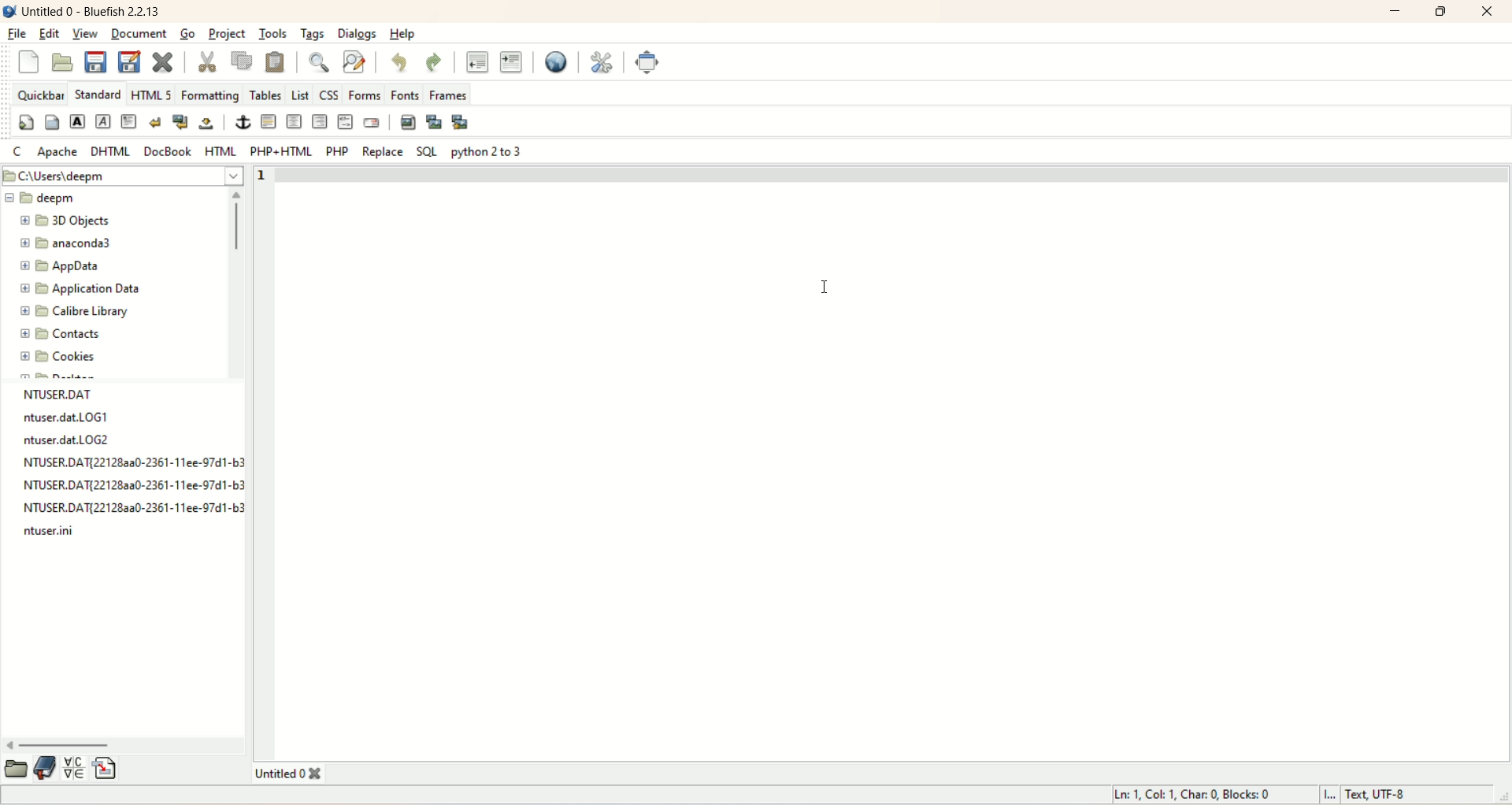 Image resolution: width=1512 pixels, height=805 pixels. What do you see at coordinates (270, 175) in the screenshot?
I see `Line number` at bounding box center [270, 175].